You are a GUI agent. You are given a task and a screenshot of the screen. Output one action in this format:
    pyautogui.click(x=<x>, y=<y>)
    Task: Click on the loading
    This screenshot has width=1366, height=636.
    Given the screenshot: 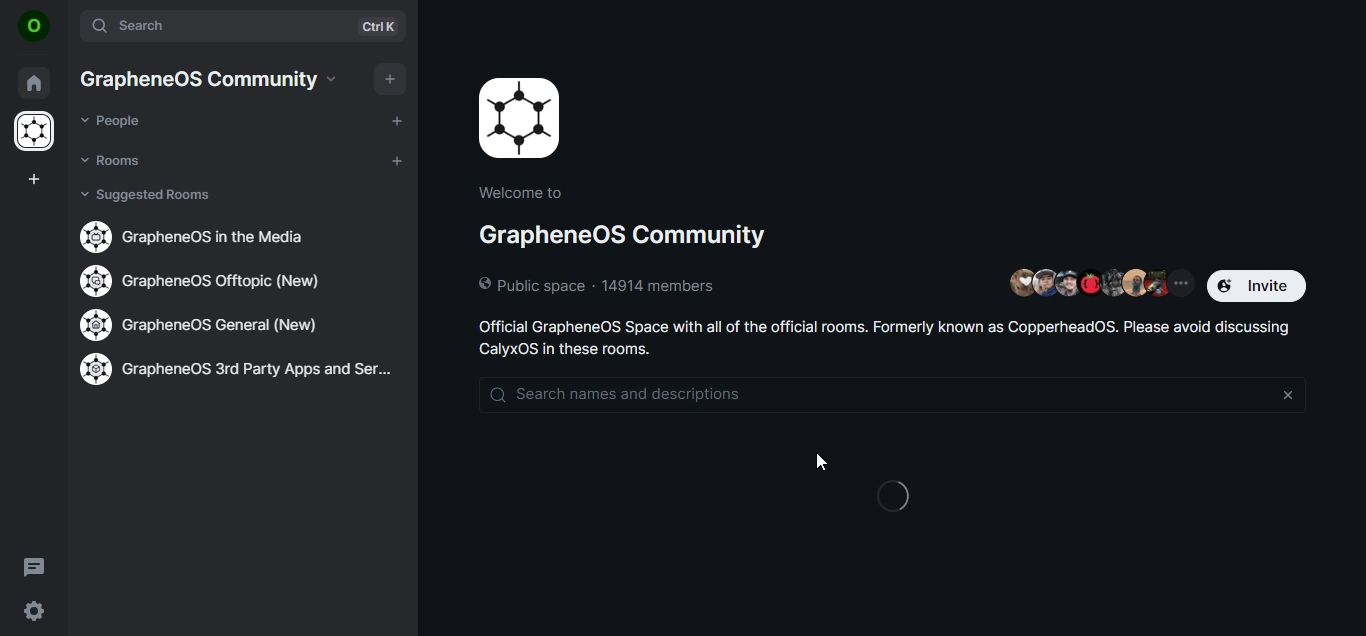 What is the action you would take?
    pyautogui.click(x=896, y=490)
    